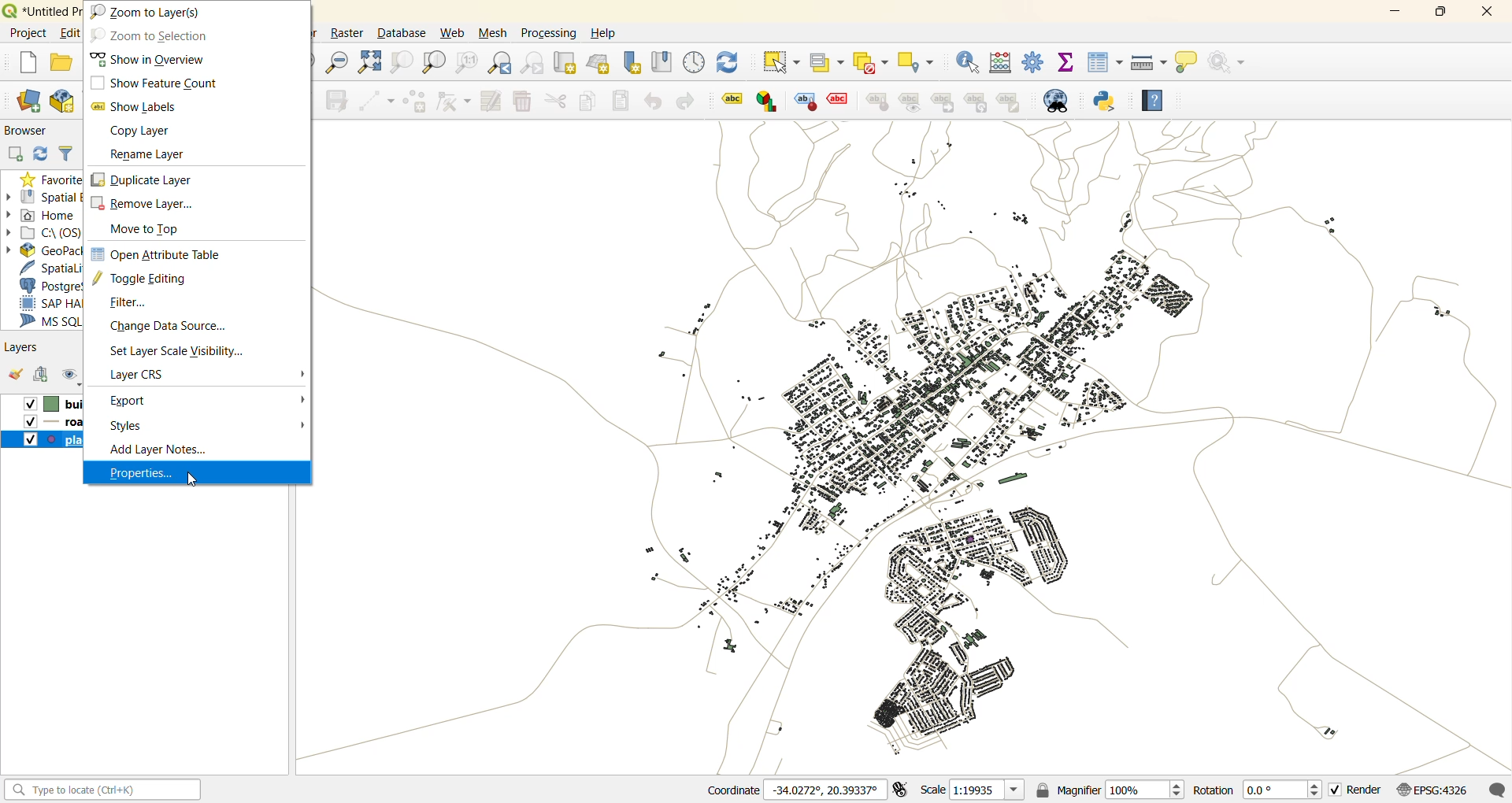  I want to click on show tips, so click(1191, 65).